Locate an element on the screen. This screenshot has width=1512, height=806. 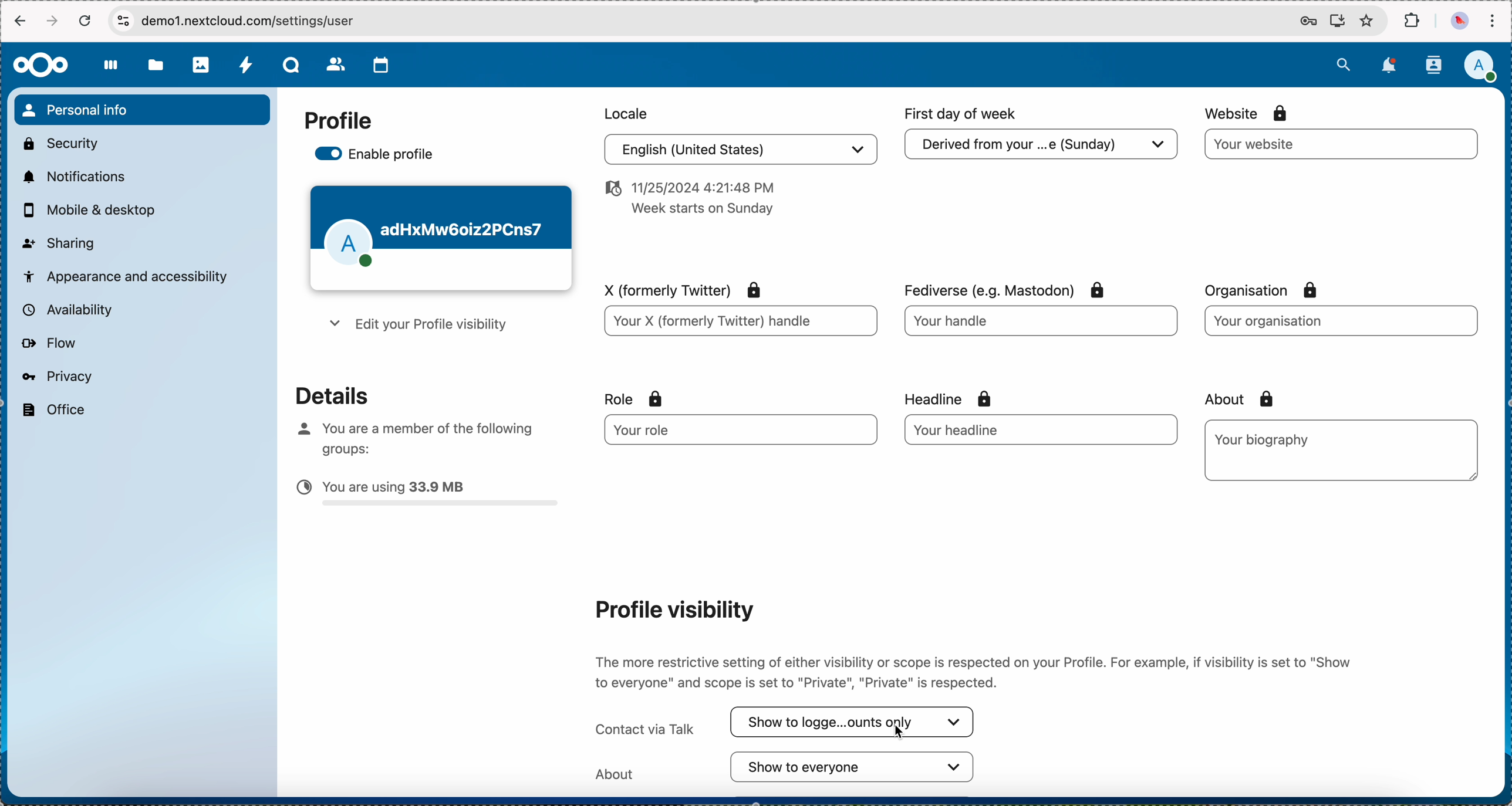
derived from your is located at coordinates (1038, 148).